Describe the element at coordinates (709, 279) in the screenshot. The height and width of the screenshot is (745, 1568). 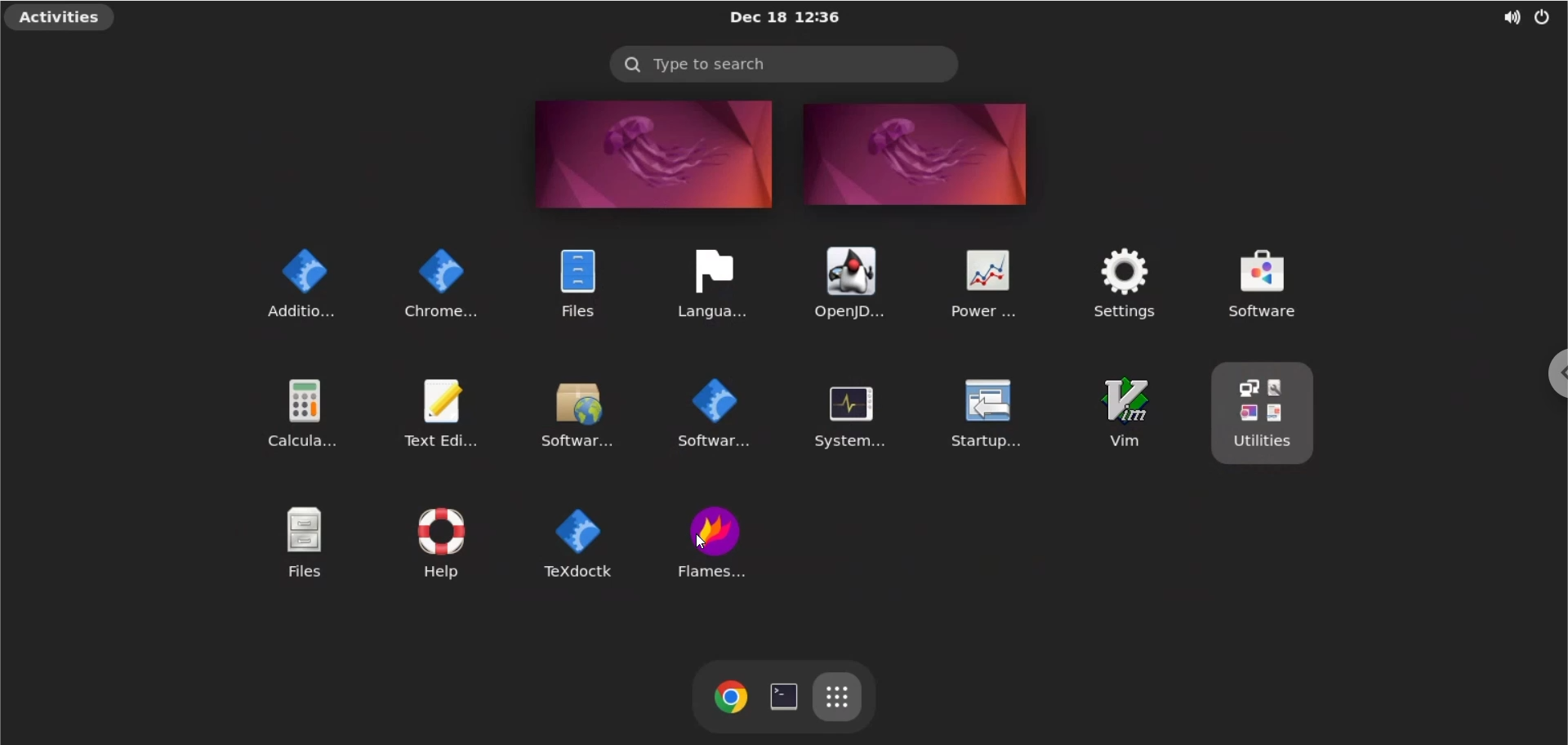
I see `language ` at that location.